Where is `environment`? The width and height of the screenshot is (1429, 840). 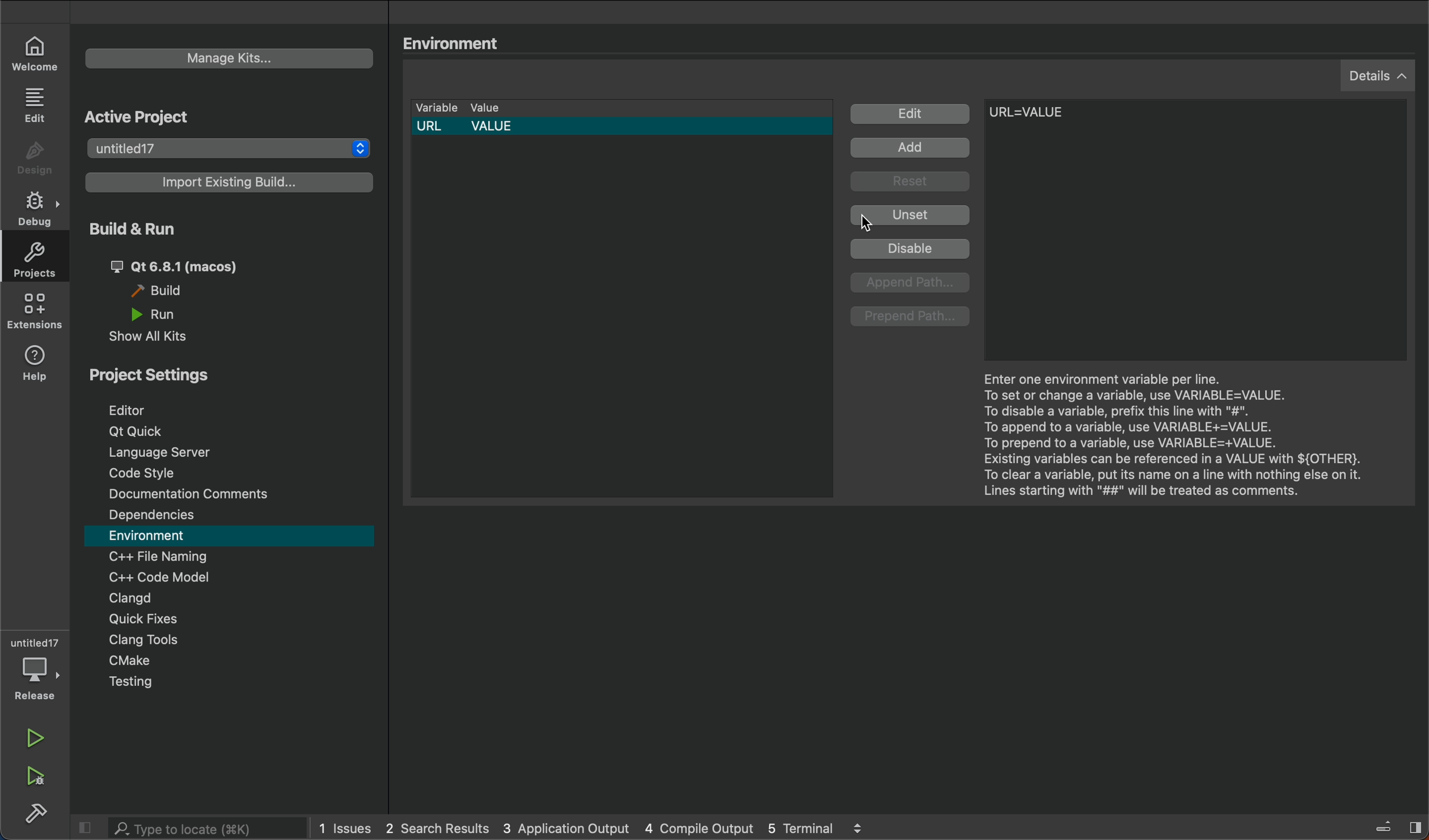
environment is located at coordinates (159, 536).